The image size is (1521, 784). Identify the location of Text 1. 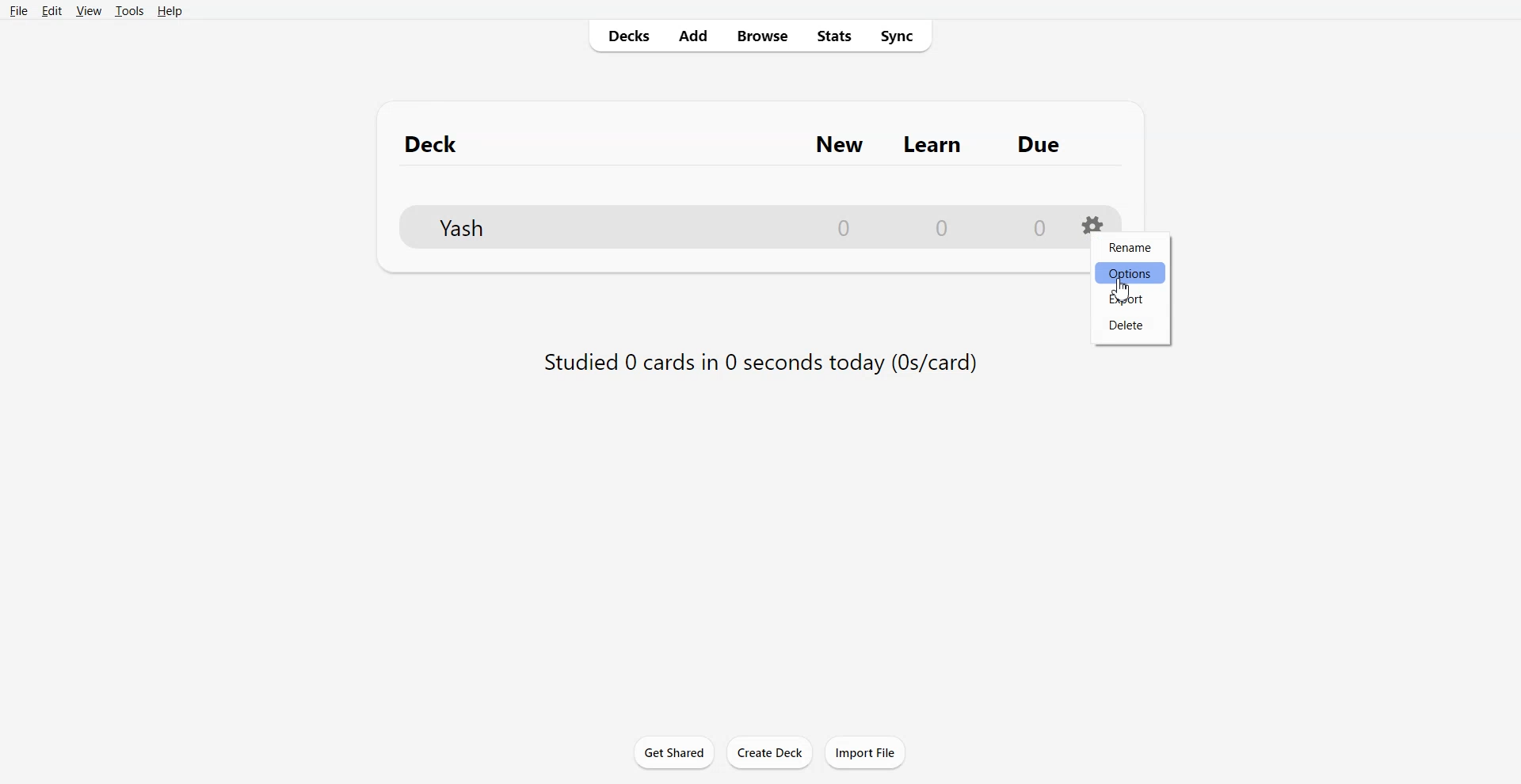
(749, 143).